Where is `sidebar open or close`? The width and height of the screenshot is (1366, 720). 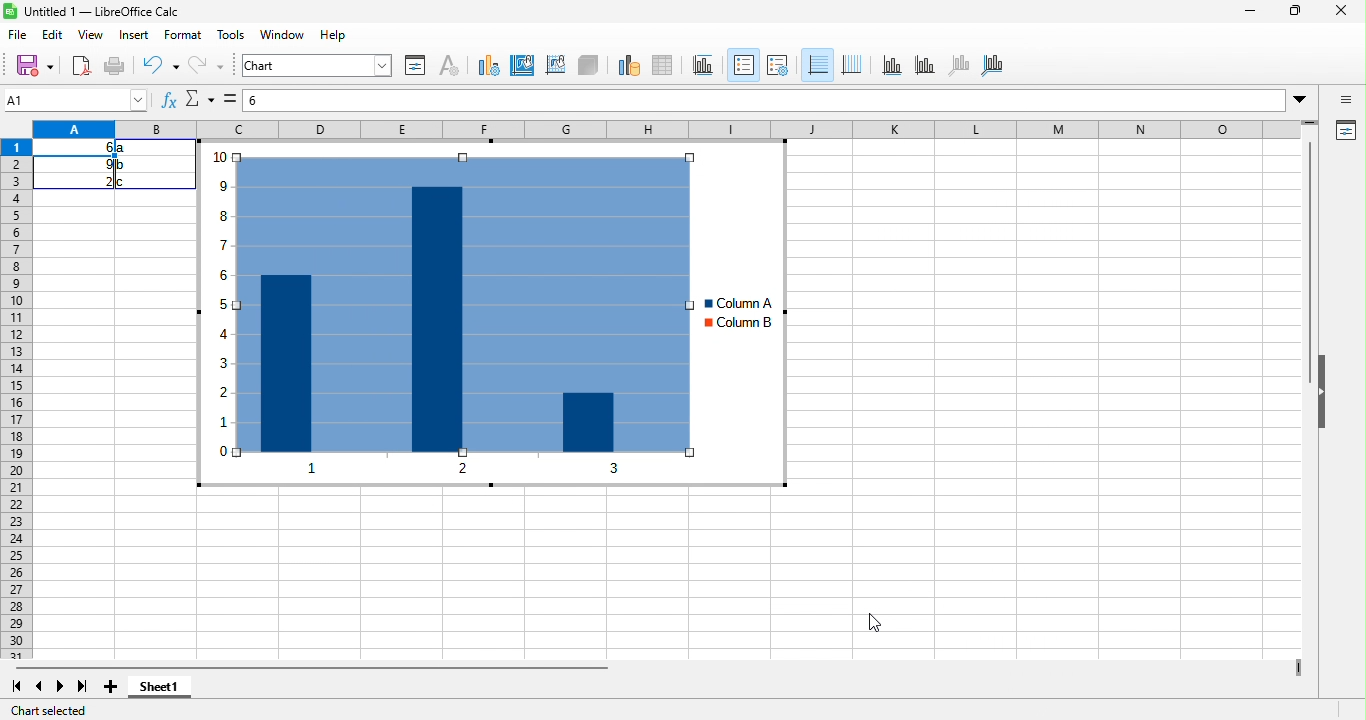
sidebar open or close is located at coordinates (1347, 101).